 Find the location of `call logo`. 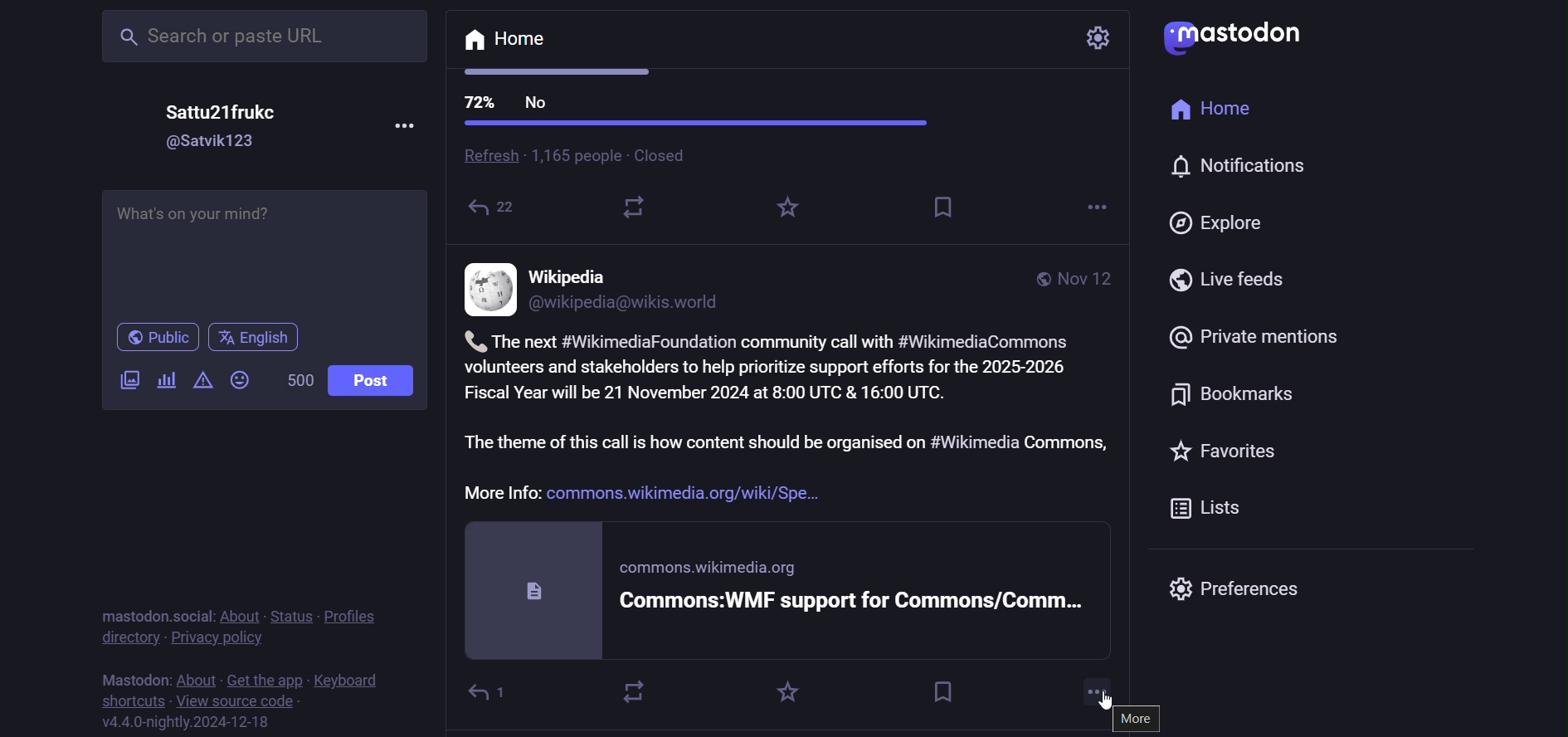

call logo is located at coordinates (470, 339).